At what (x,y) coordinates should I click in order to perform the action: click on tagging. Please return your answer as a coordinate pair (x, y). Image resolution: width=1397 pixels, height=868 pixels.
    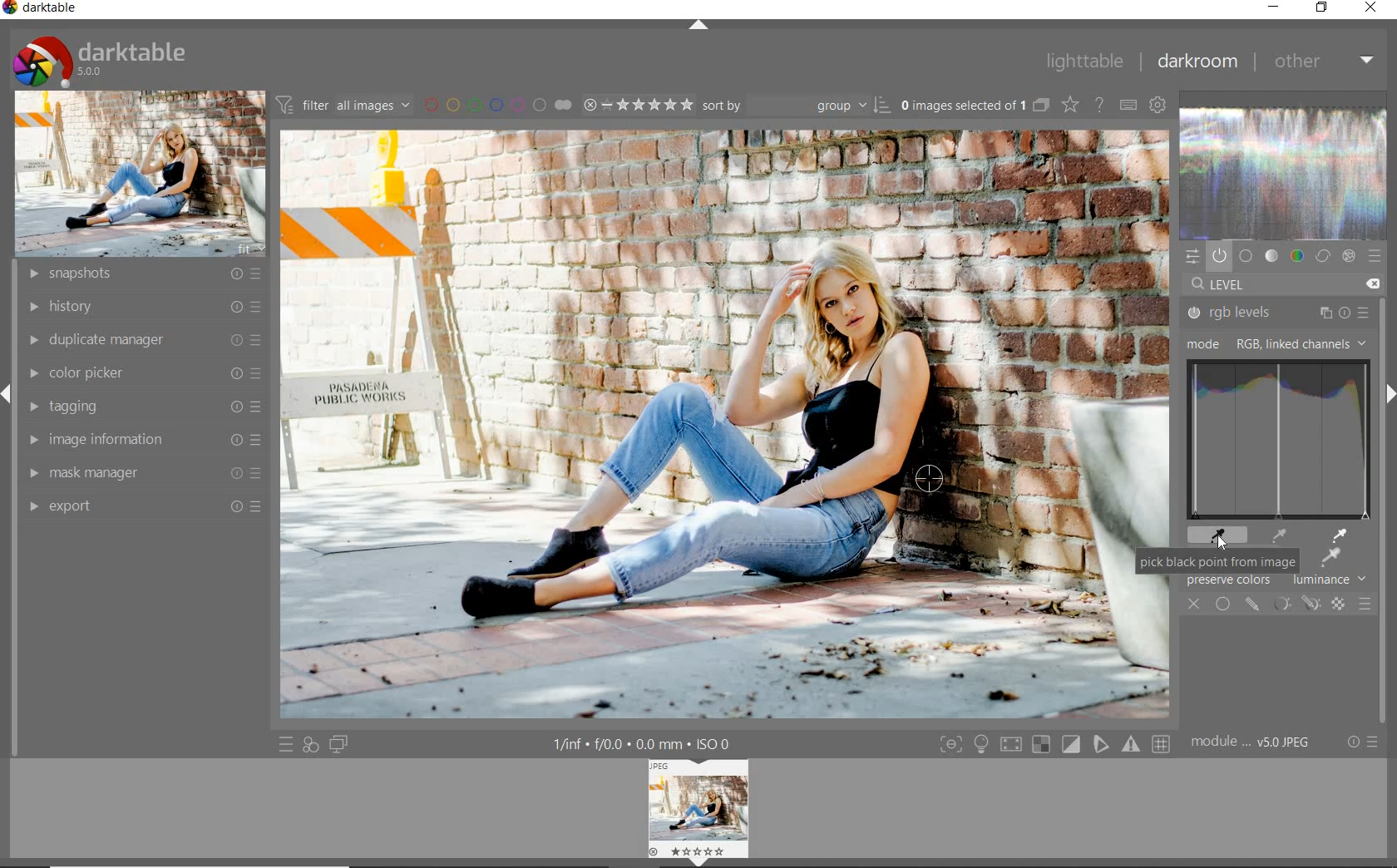
    Looking at the image, I should click on (140, 407).